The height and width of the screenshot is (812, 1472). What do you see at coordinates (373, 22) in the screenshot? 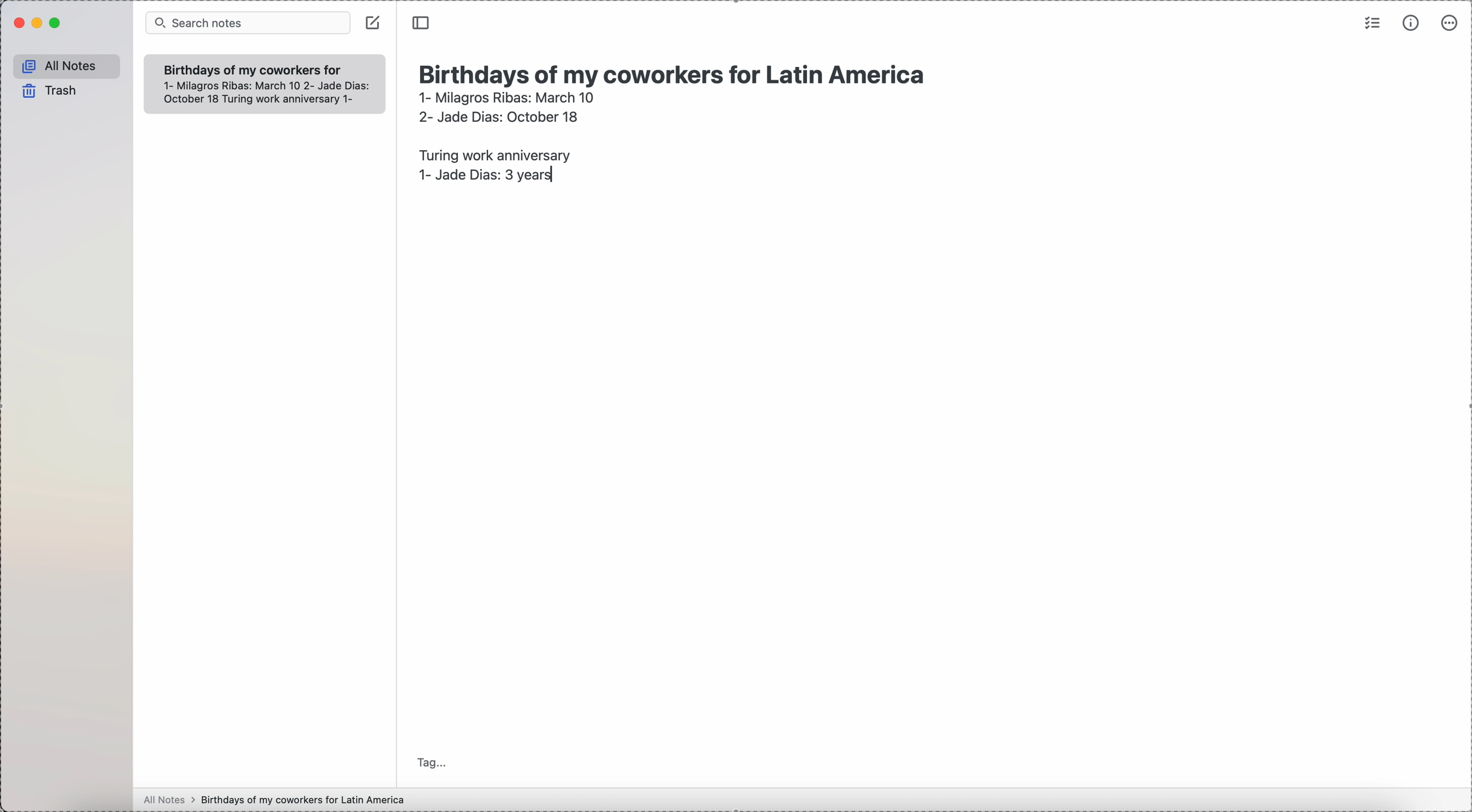
I see `create note` at bounding box center [373, 22].